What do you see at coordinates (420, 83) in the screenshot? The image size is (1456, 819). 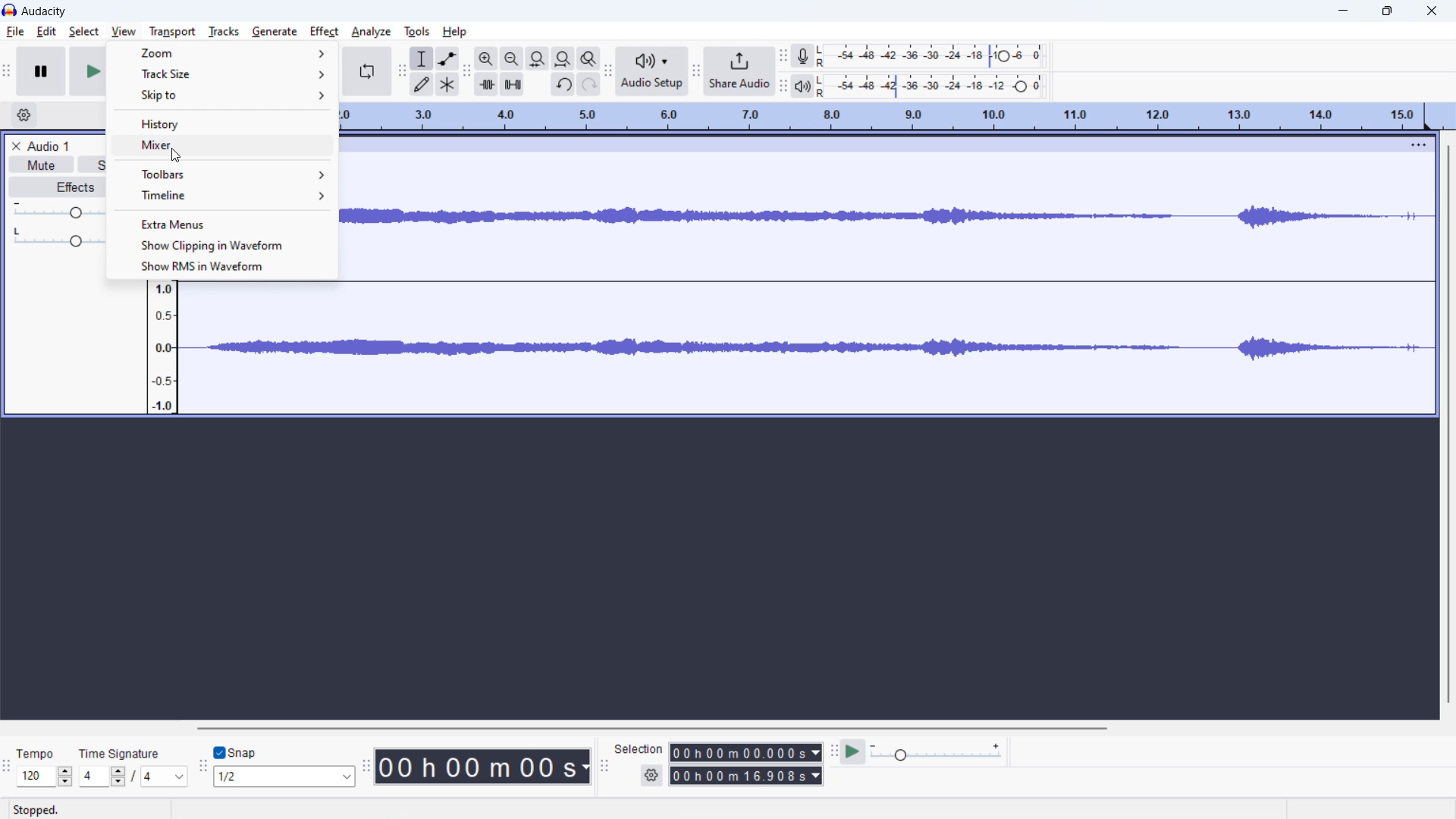 I see `draw tool` at bounding box center [420, 83].